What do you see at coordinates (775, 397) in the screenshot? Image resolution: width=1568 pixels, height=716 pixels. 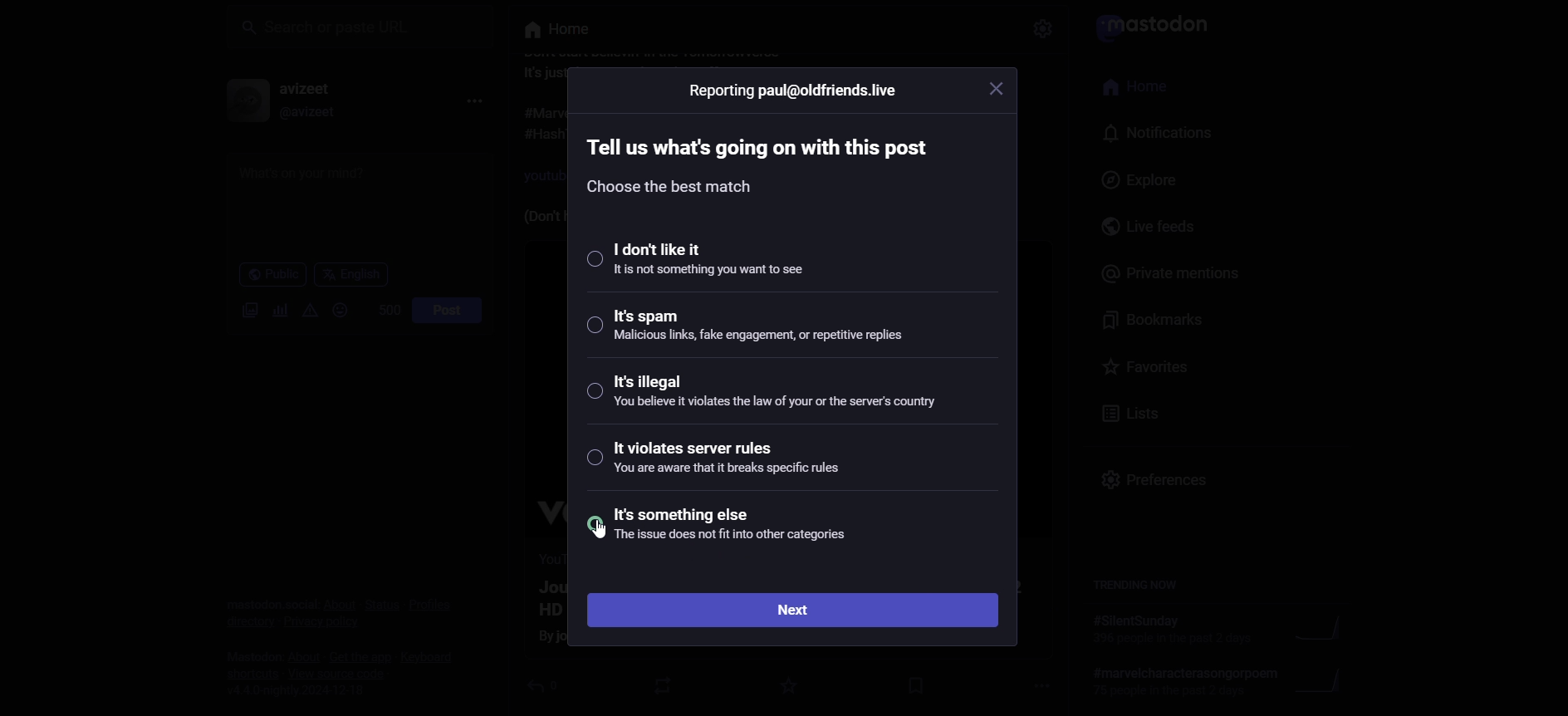 I see `its illegal` at bounding box center [775, 397].